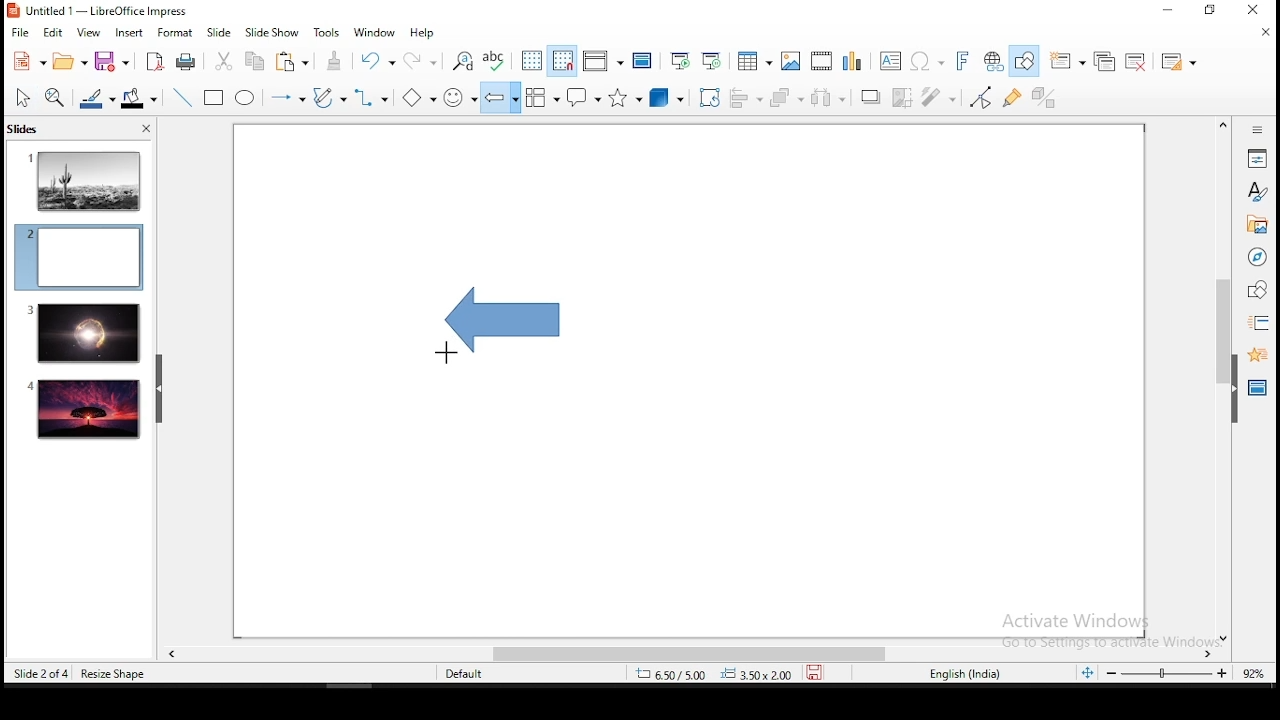 The width and height of the screenshot is (1280, 720). What do you see at coordinates (67, 62) in the screenshot?
I see `open` at bounding box center [67, 62].